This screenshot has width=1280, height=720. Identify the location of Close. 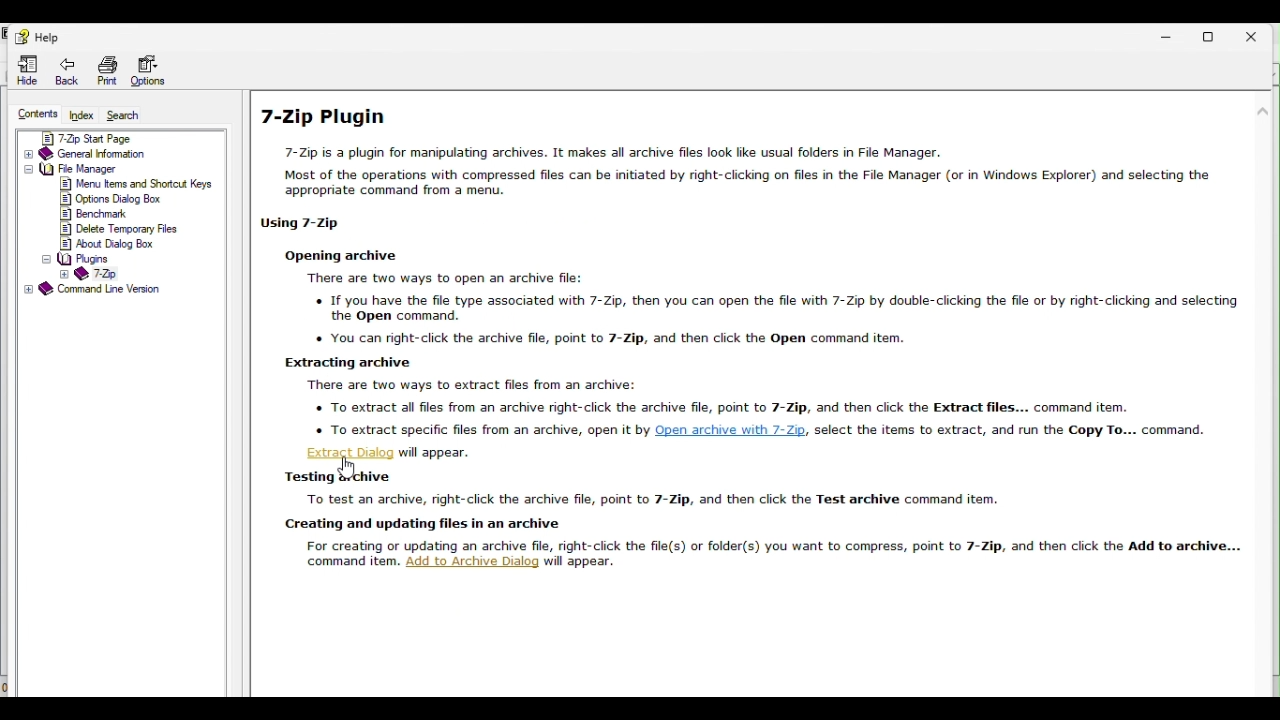
(1259, 34).